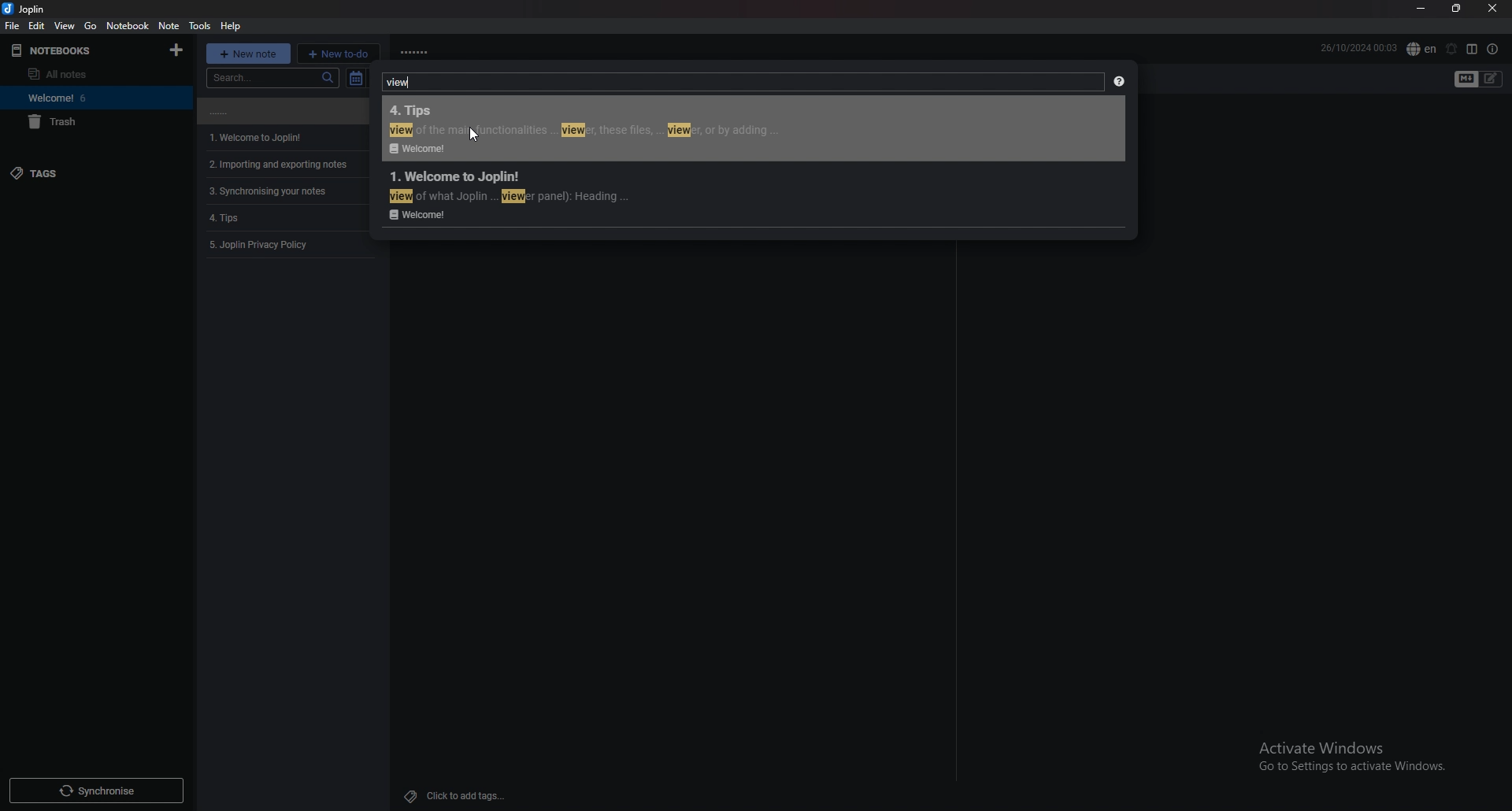  What do you see at coordinates (339, 54) in the screenshot?
I see `new todo` at bounding box center [339, 54].